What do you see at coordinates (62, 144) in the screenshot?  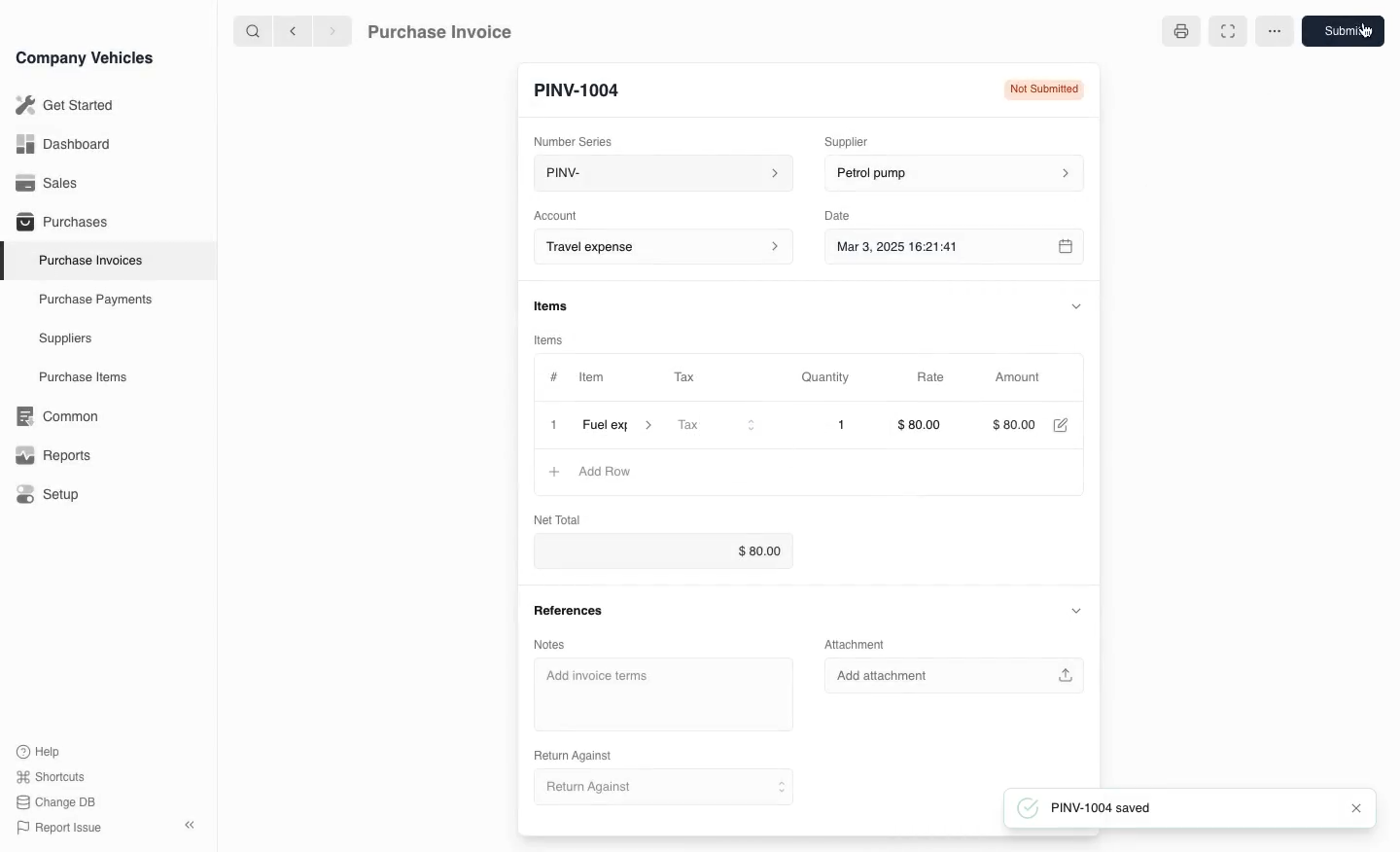 I see `Dashboard` at bounding box center [62, 144].